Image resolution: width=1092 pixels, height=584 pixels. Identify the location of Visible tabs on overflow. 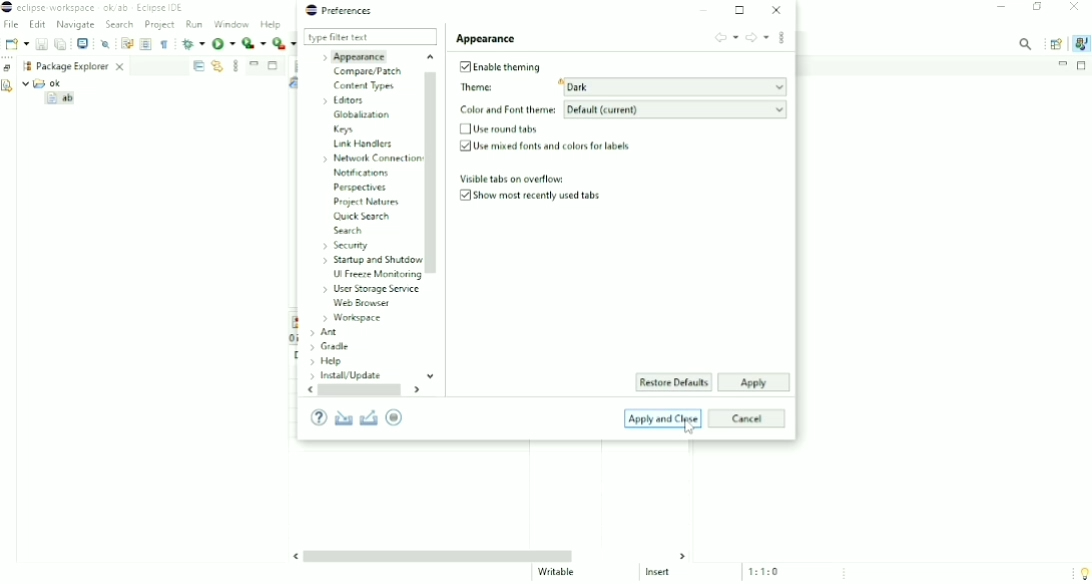
(512, 179).